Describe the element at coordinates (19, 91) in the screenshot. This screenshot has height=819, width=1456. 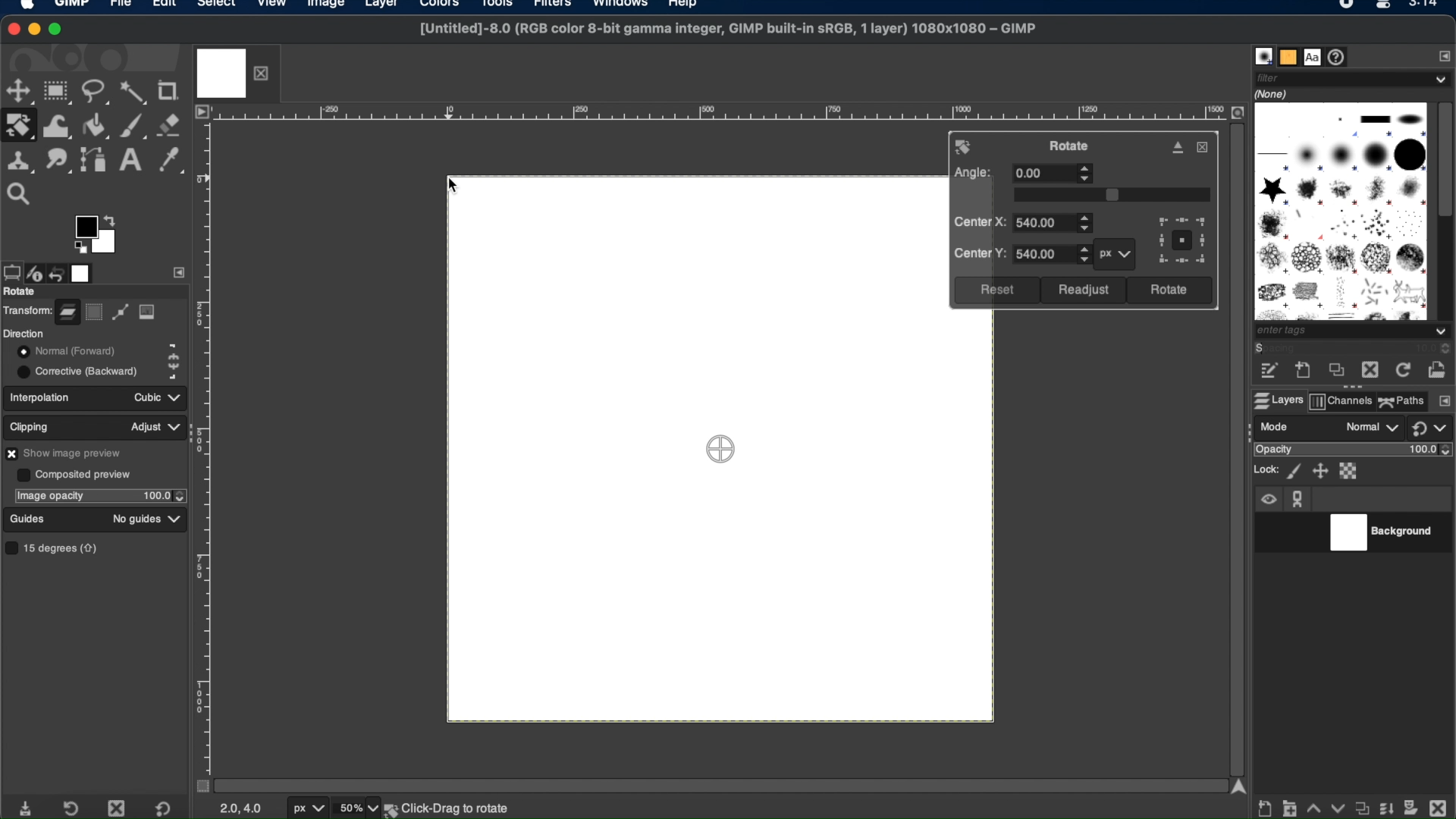
I see `move tool` at that location.